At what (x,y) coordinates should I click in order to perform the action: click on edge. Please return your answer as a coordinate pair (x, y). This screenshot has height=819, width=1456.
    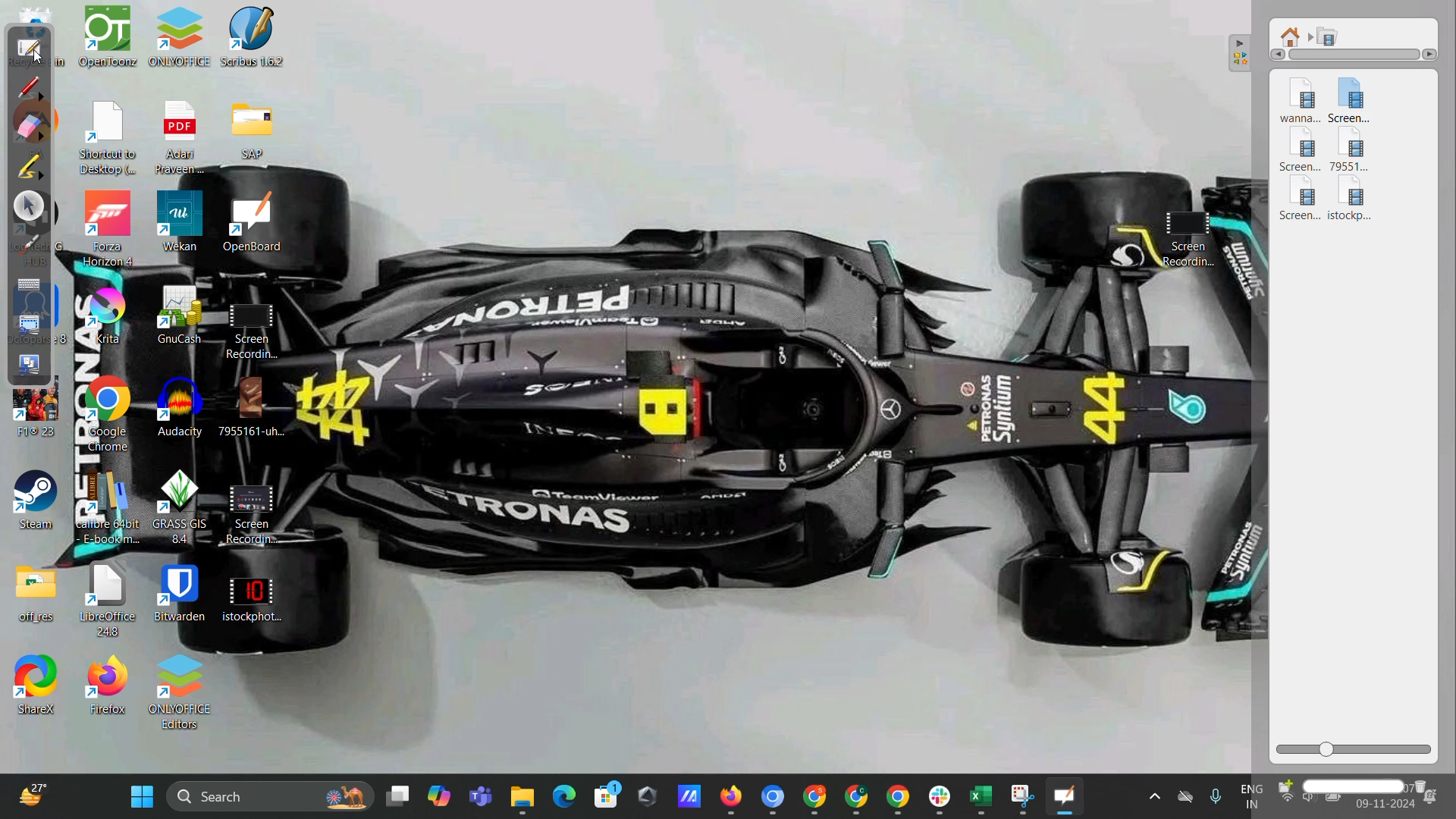
    Looking at the image, I should click on (562, 795).